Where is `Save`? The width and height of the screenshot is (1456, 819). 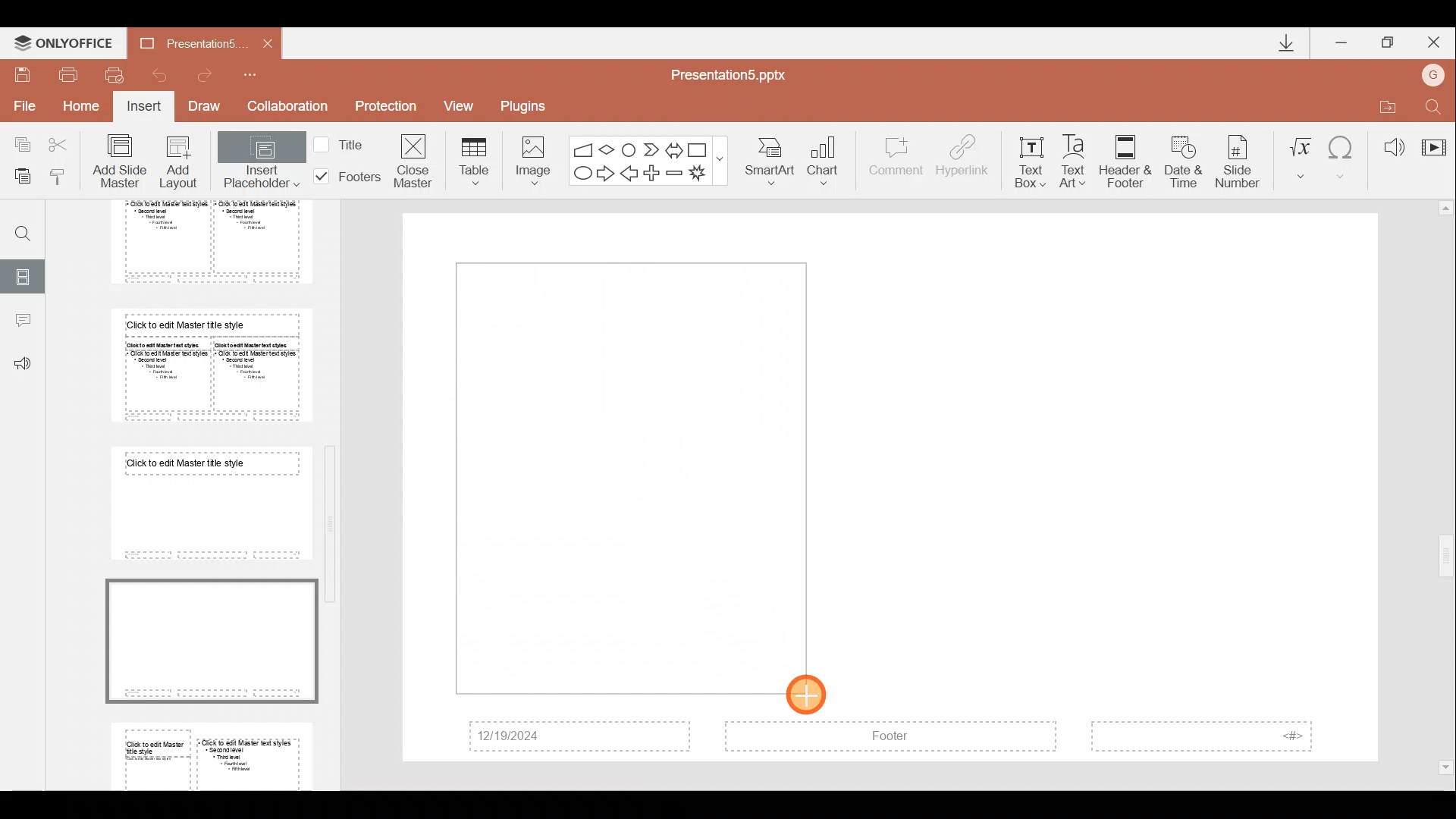
Save is located at coordinates (23, 73).